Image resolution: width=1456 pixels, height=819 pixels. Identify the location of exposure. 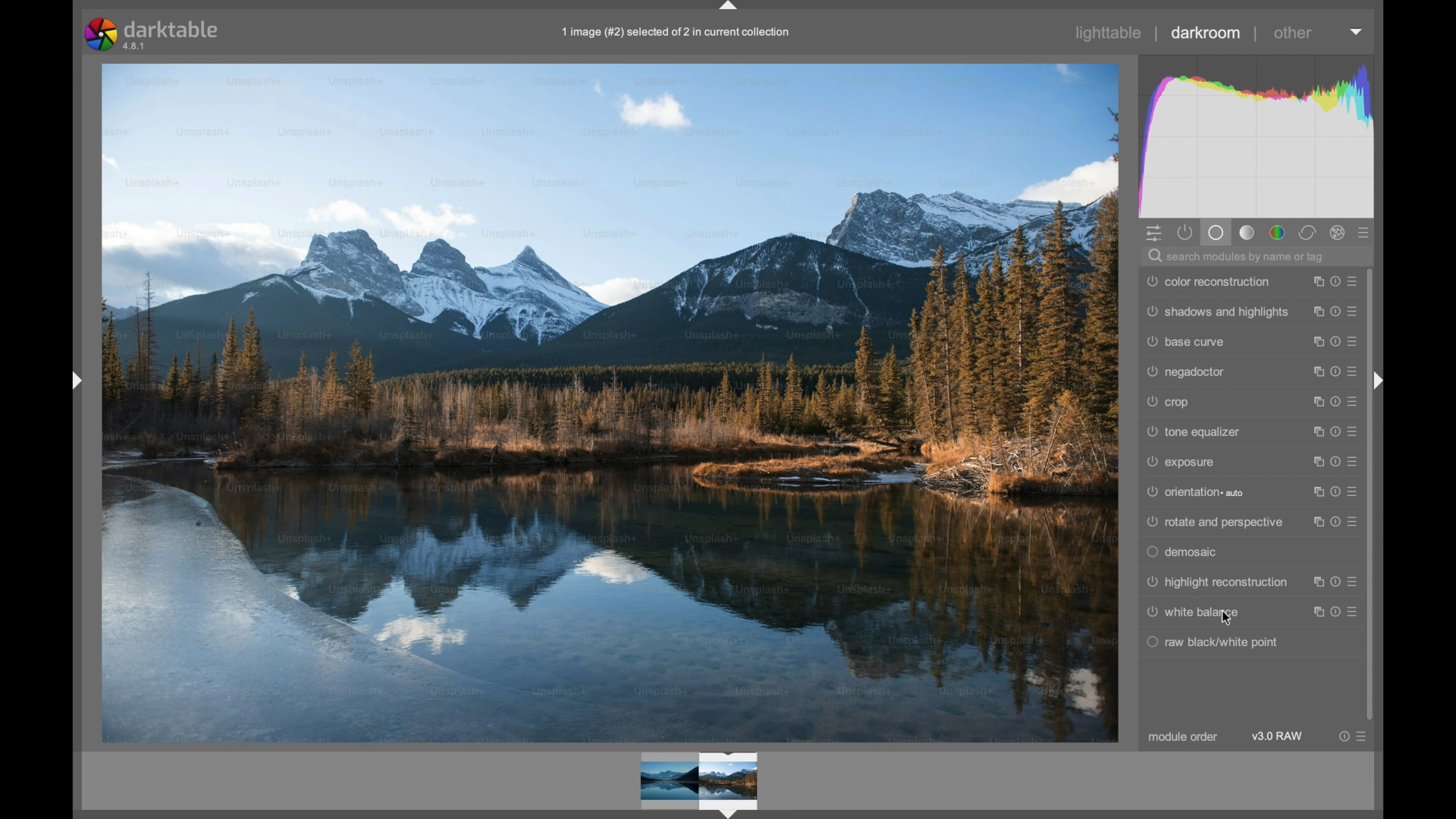
(1179, 462).